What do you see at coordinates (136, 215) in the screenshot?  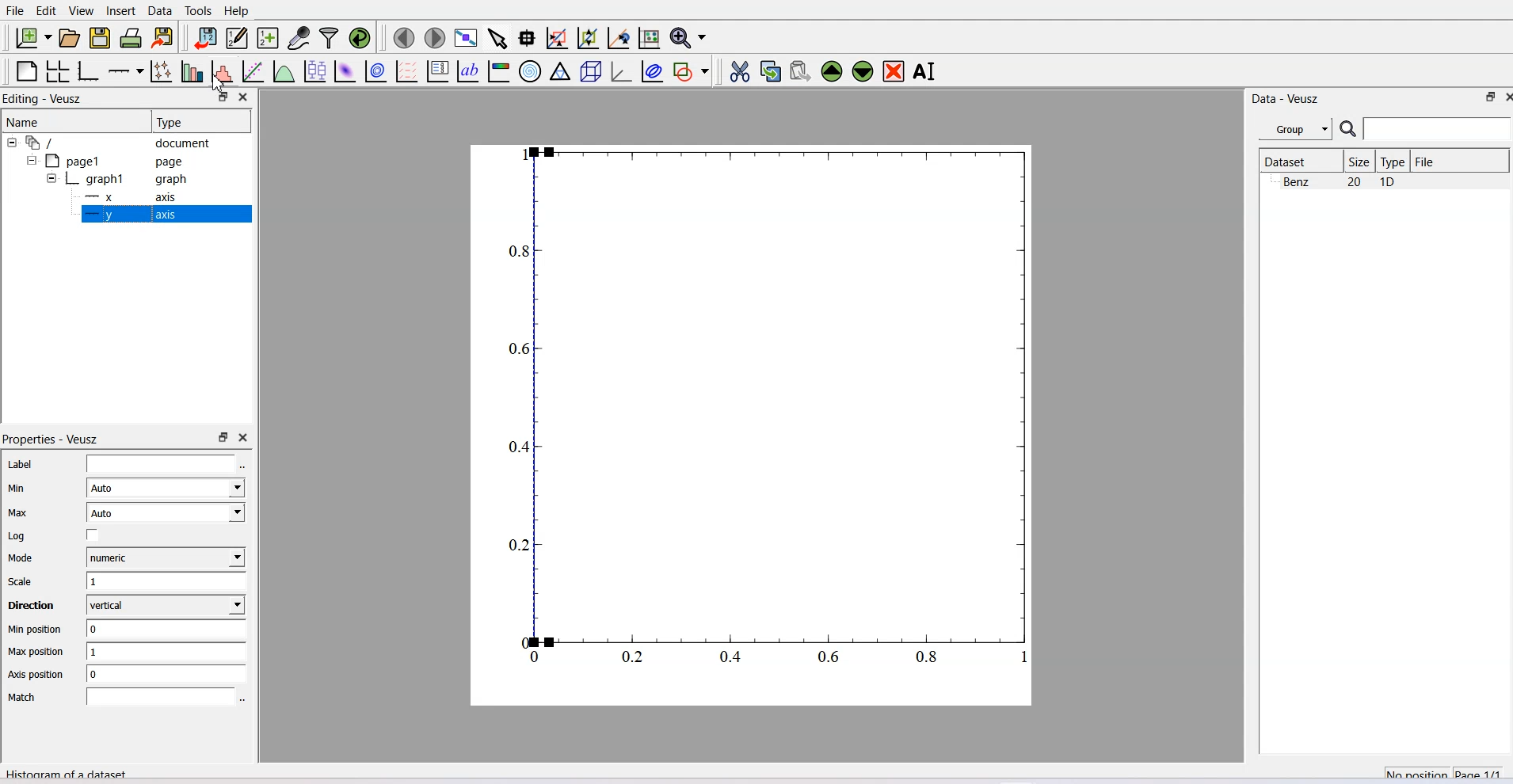 I see `Y Axis` at bounding box center [136, 215].